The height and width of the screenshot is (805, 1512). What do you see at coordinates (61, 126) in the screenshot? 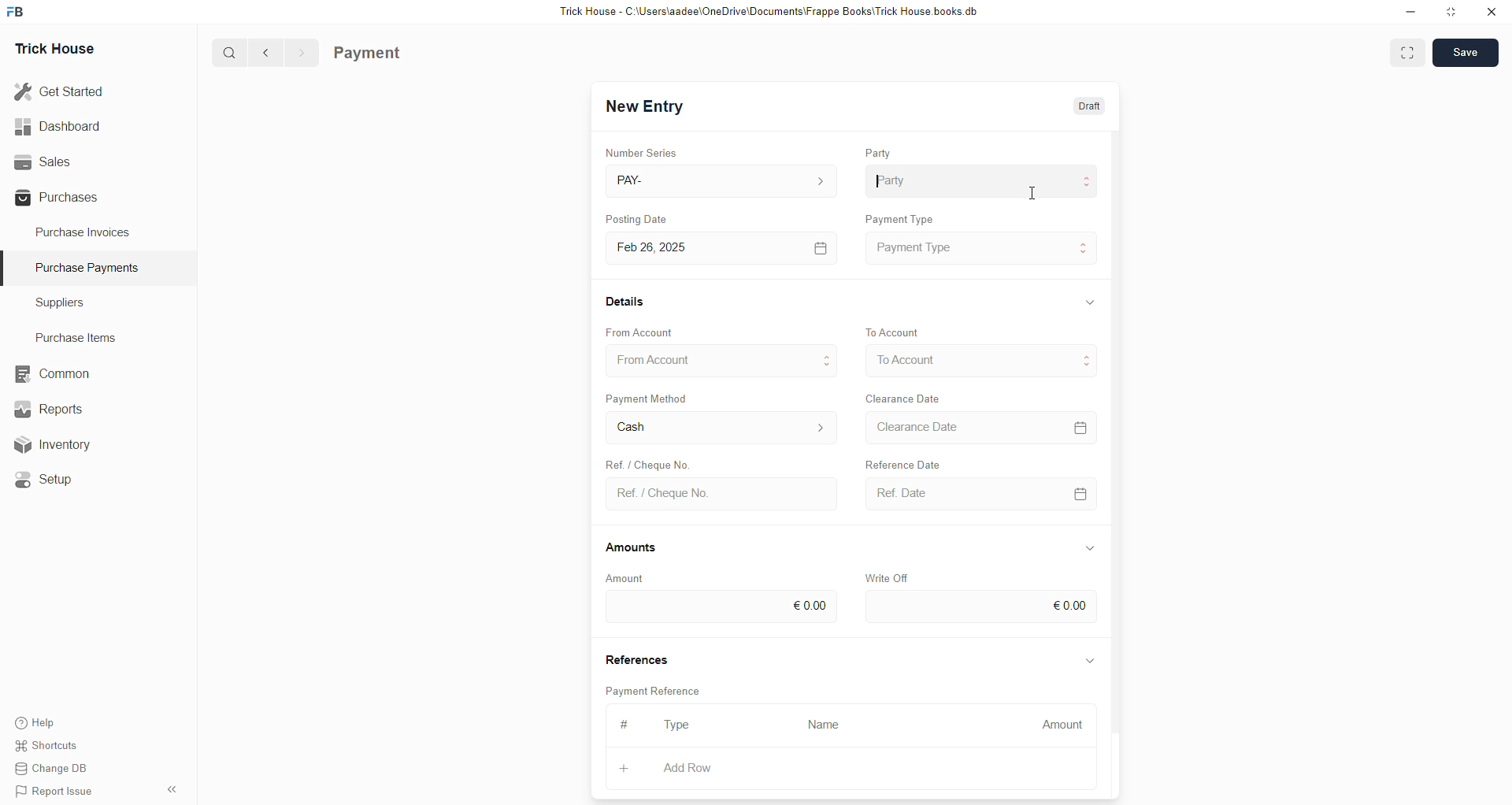
I see `Dashboard` at bounding box center [61, 126].